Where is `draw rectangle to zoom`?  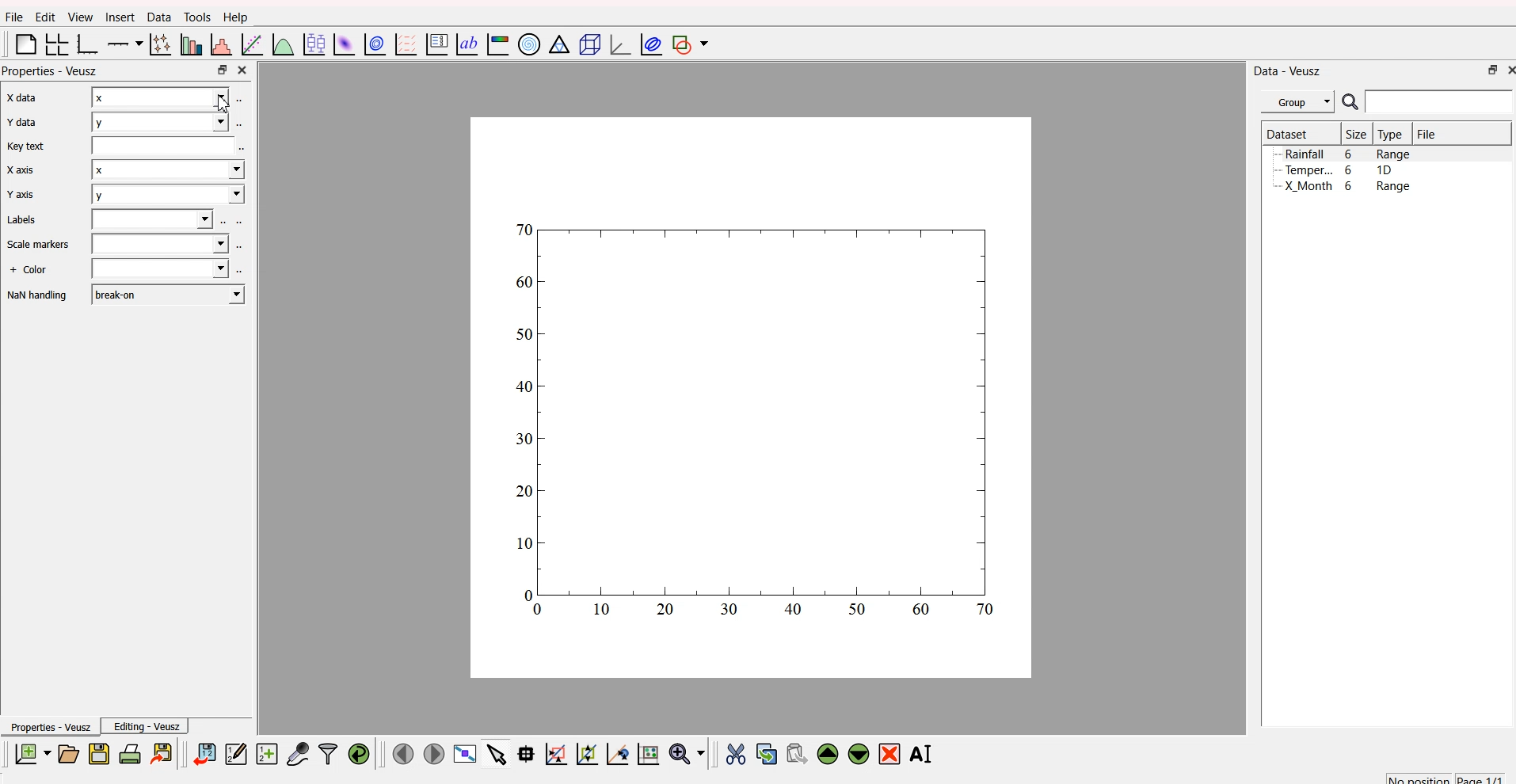 draw rectangle to zoom is located at coordinates (556, 753).